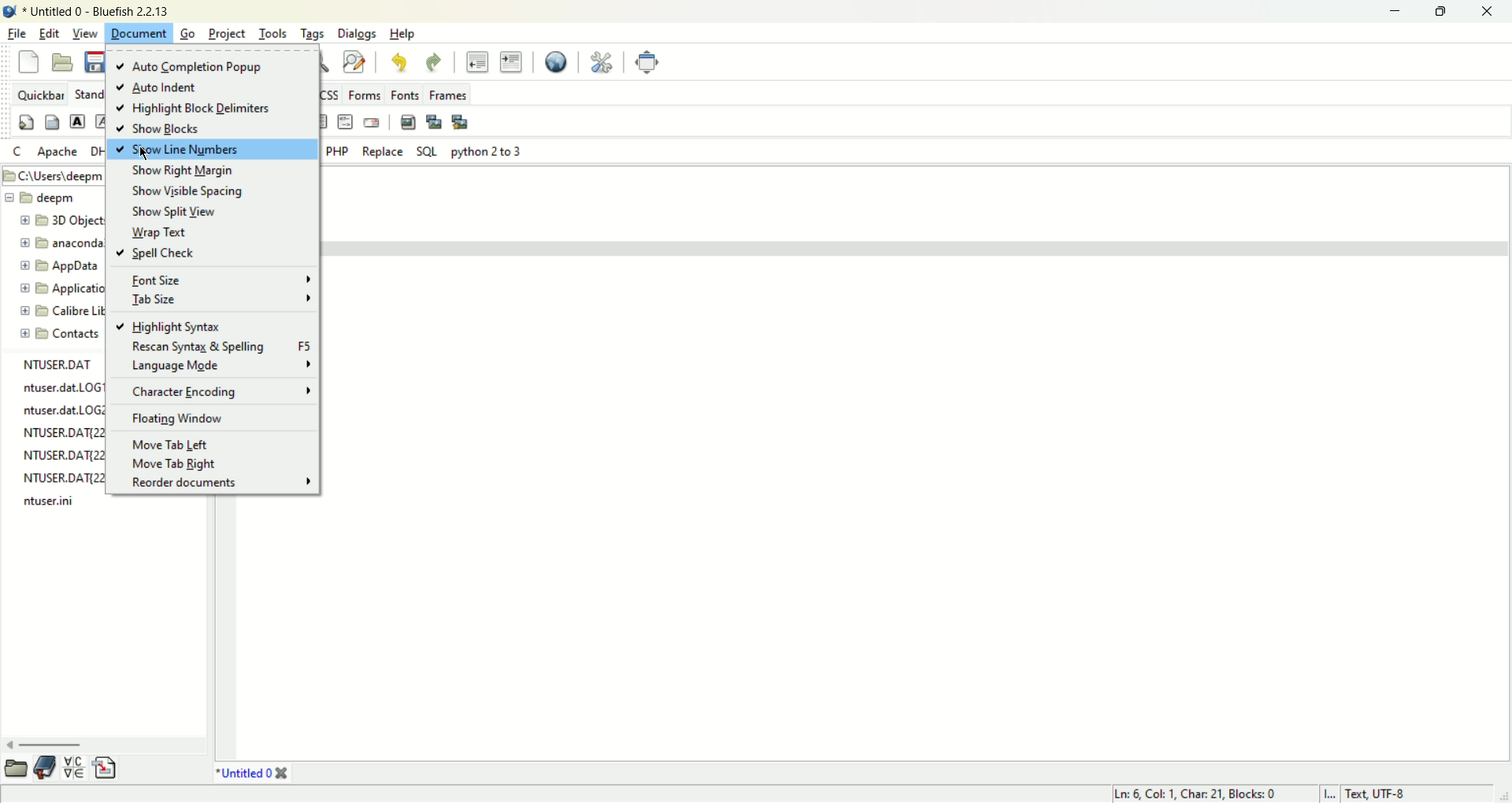 The image size is (1512, 803). Describe the element at coordinates (487, 151) in the screenshot. I see `python 2 to 3` at that location.